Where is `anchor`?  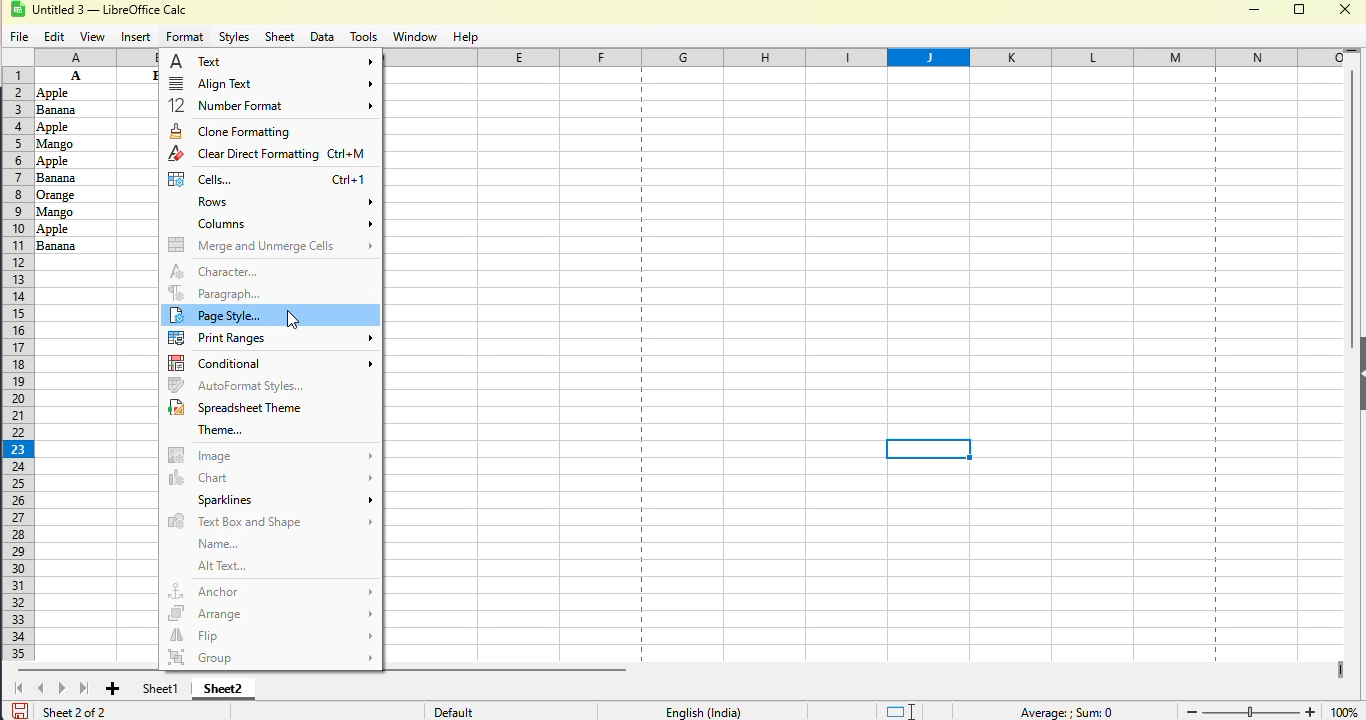
anchor is located at coordinates (270, 591).